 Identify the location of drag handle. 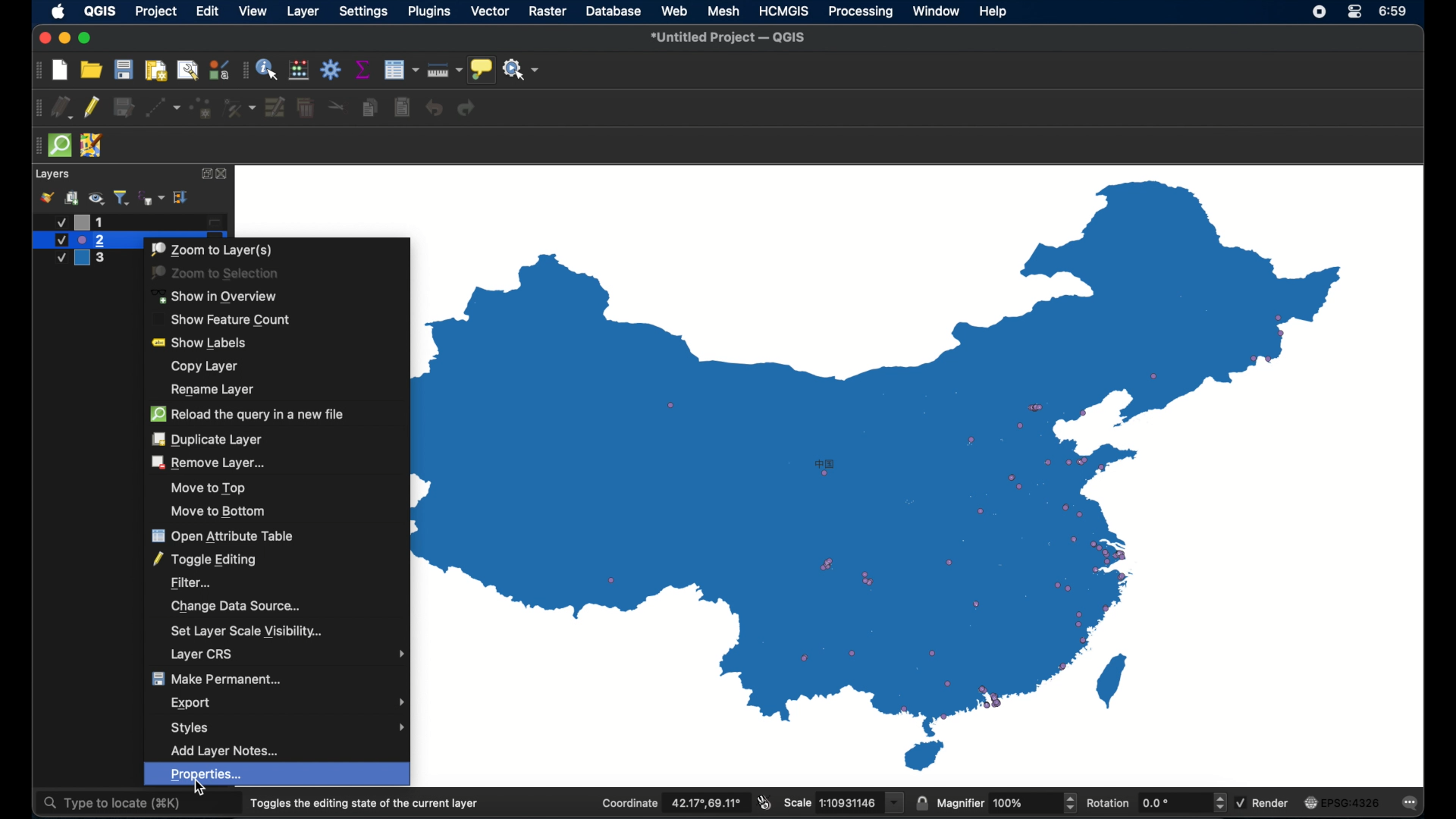
(245, 69).